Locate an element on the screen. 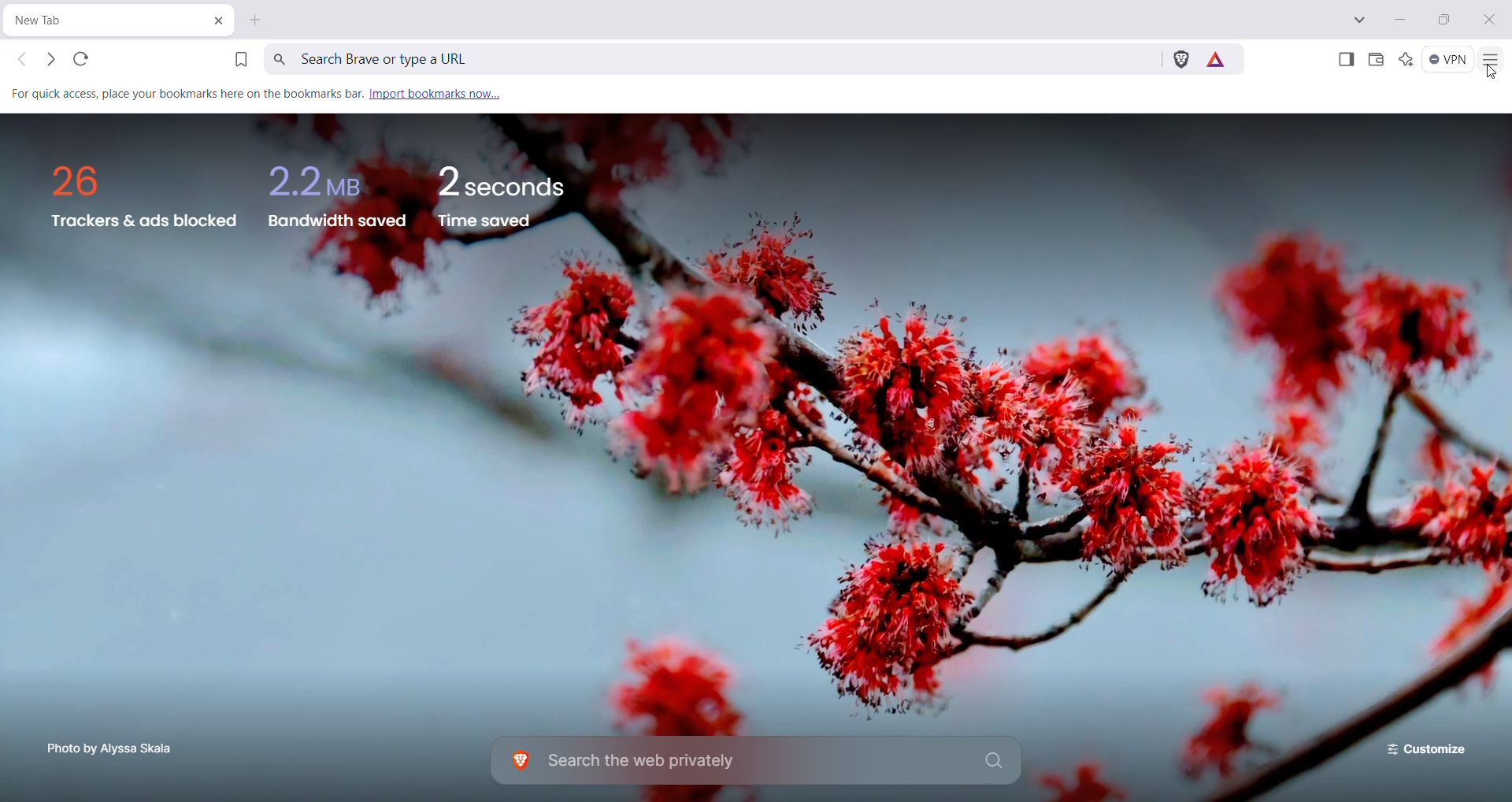 This screenshot has height=802, width=1512. Brave Wallet is located at coordinates (1374, 60).